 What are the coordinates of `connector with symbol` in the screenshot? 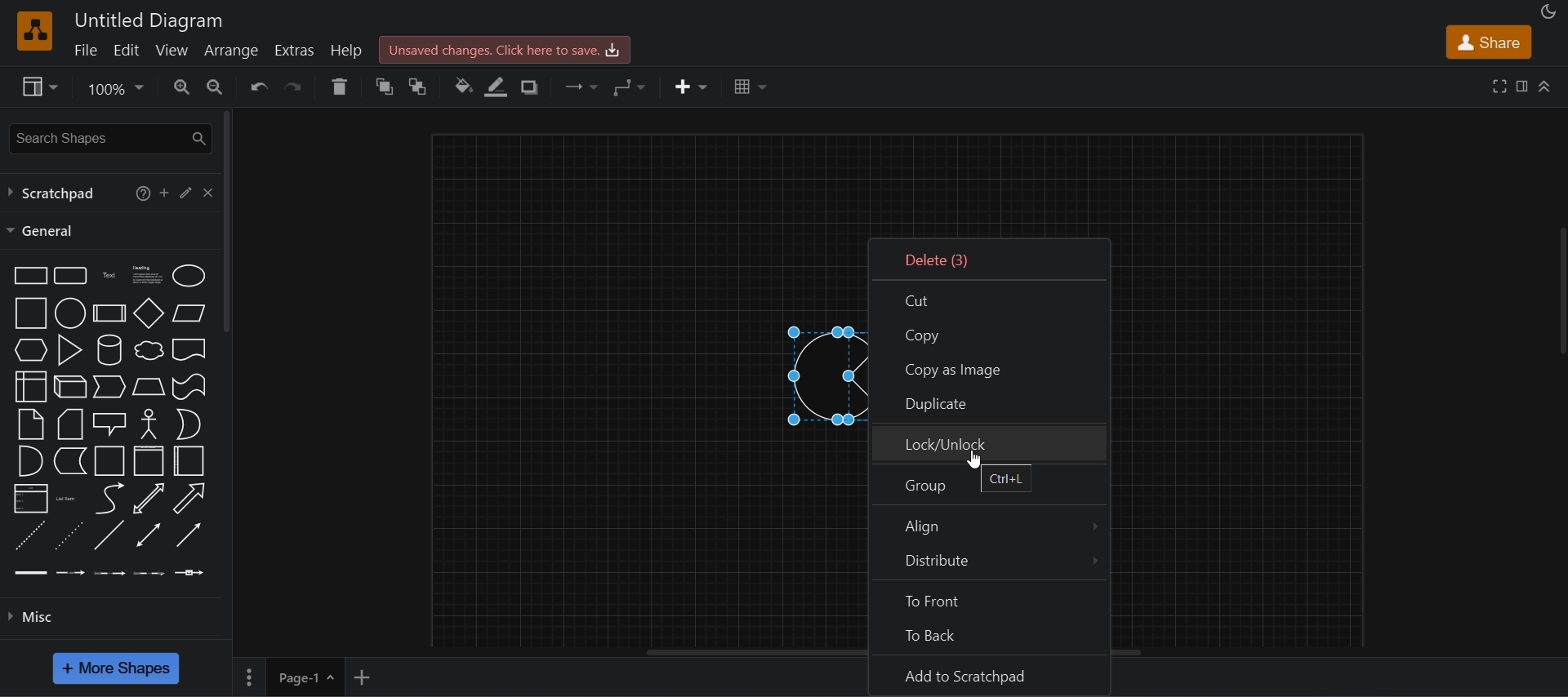 It's located at (190, 570).